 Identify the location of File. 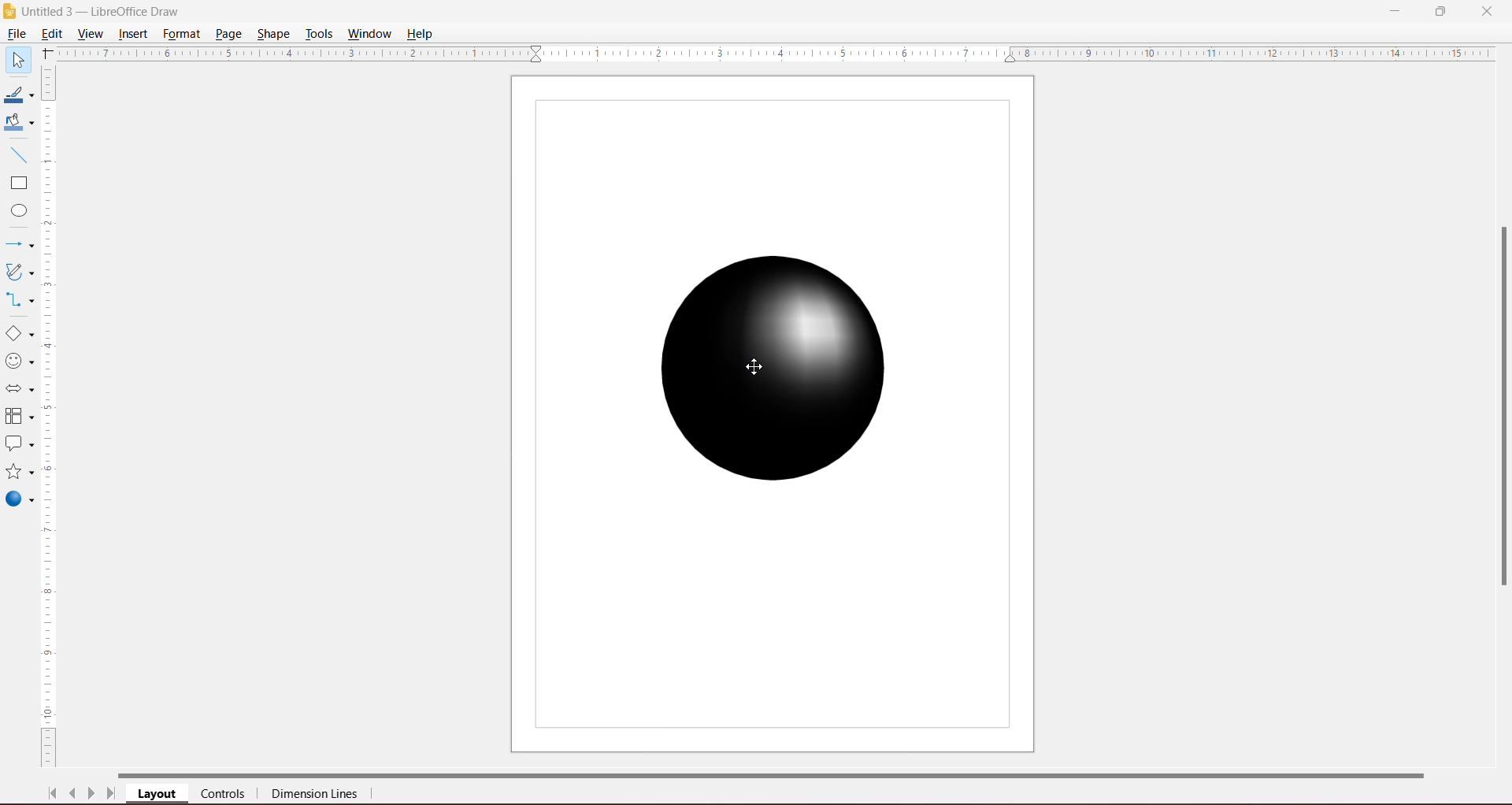
(16, 34).